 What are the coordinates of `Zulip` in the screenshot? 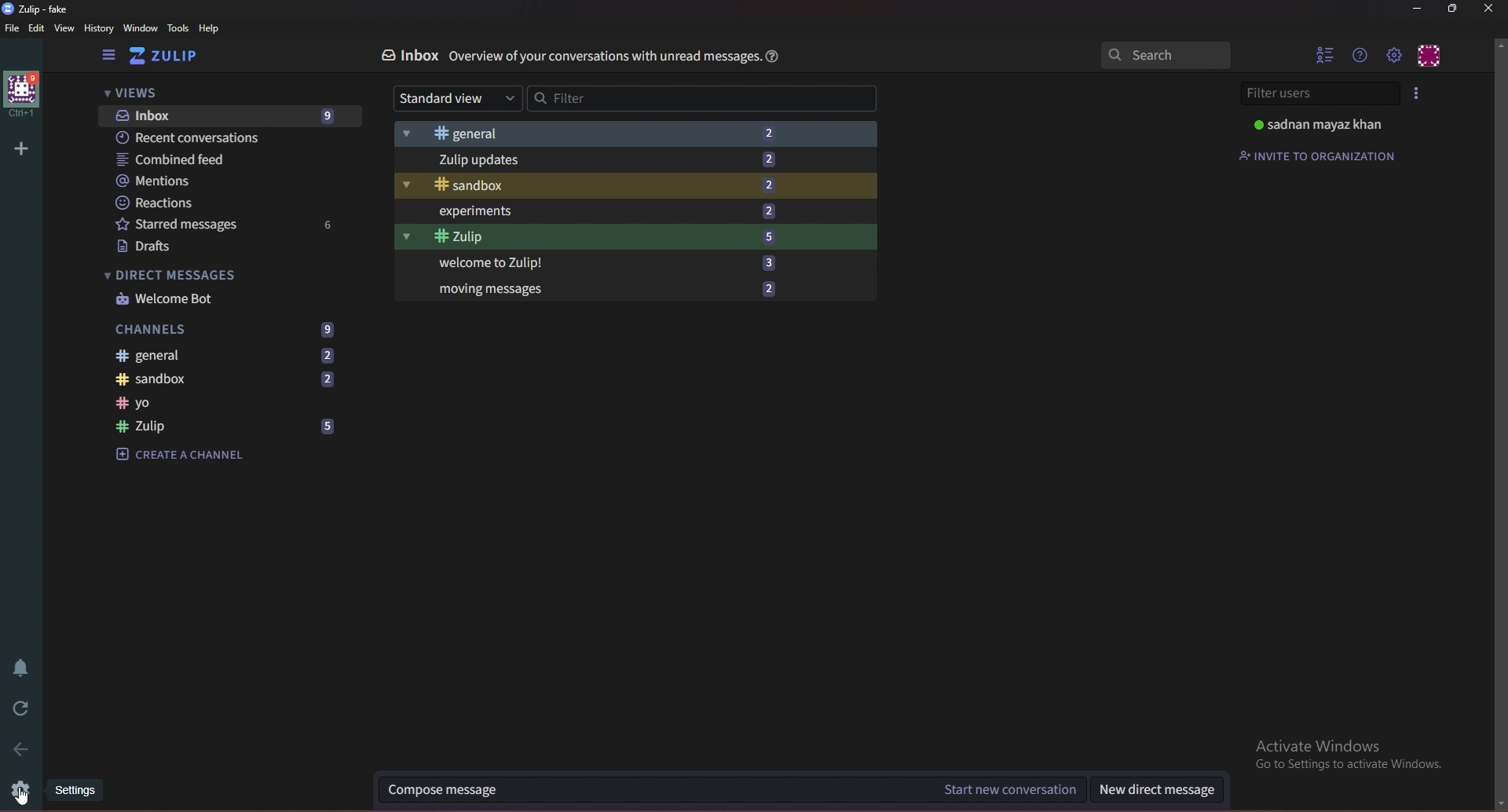 It's located at (230, 426).